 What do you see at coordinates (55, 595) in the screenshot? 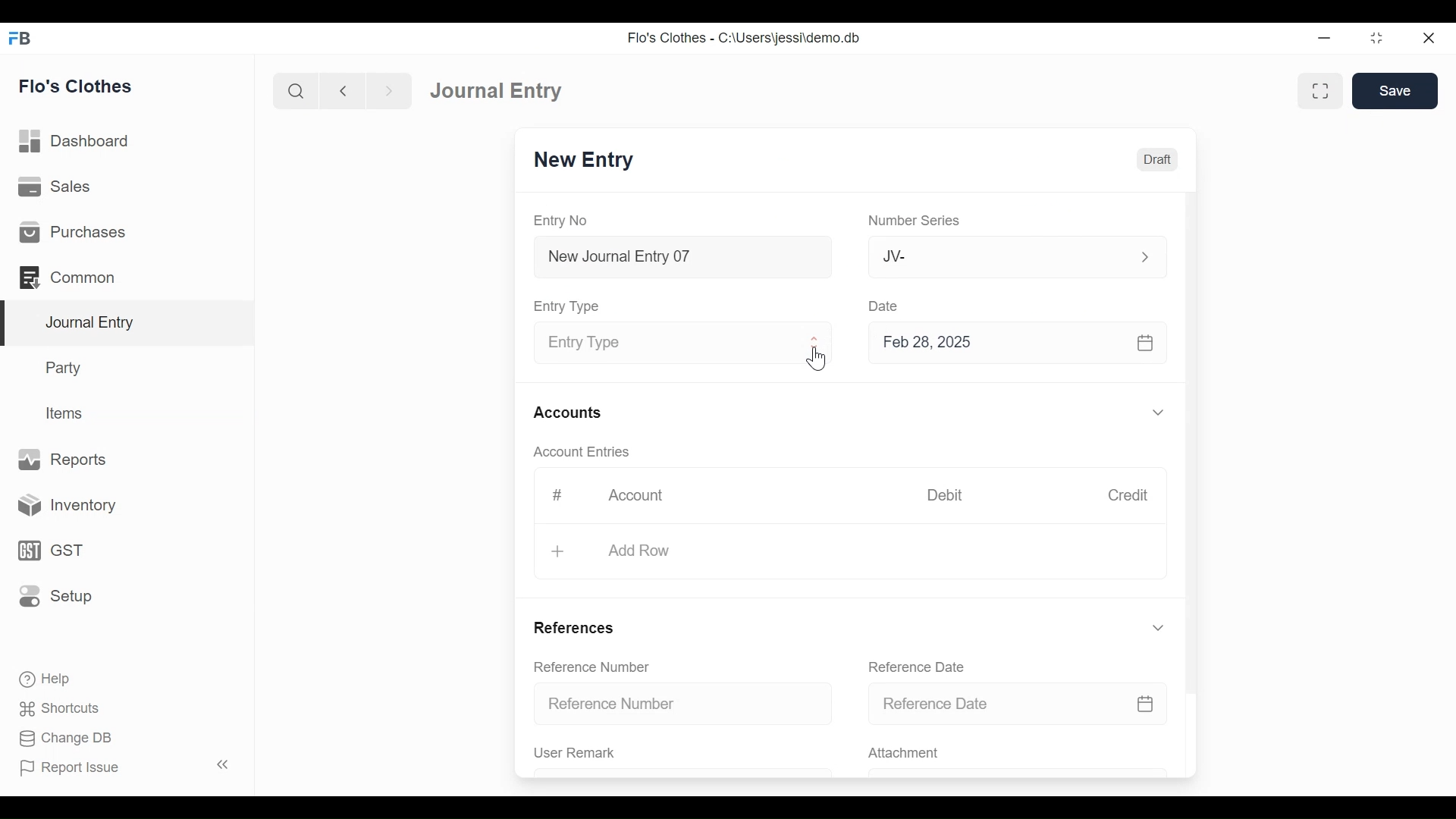
I see `Setup` at bounding box center [55, 595].